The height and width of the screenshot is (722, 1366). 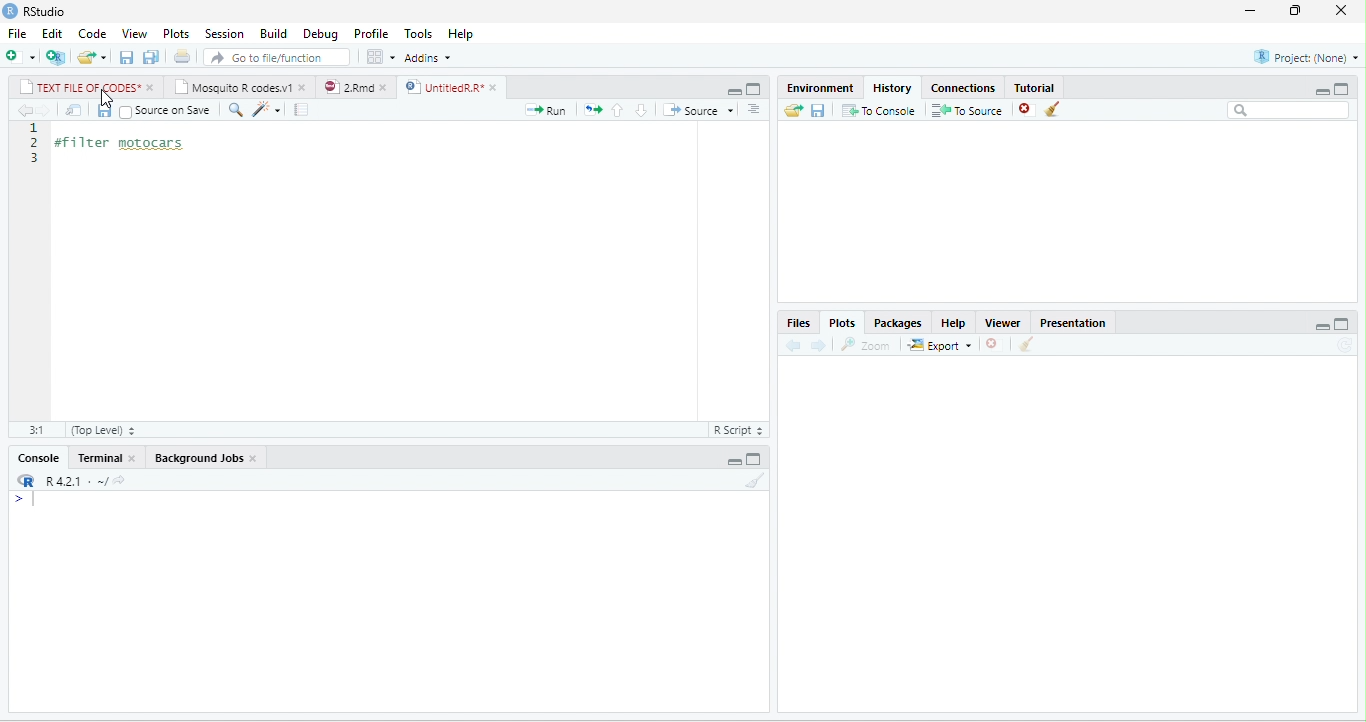 What do you see at coordinates (953, 323) in the screenshot?
I see `Help` at bounding box center [953, 323].